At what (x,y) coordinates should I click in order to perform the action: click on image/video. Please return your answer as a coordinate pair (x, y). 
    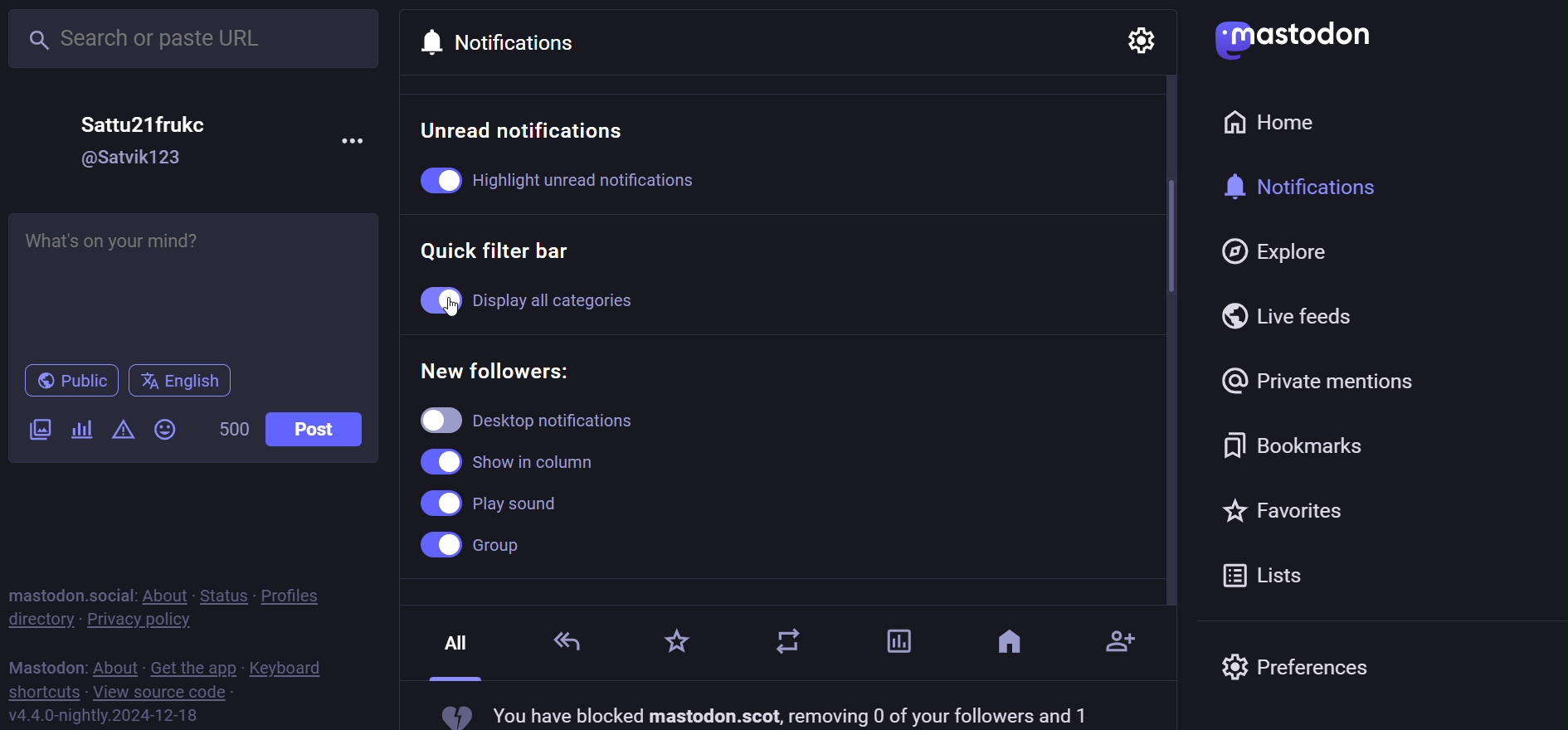
    Looking at the image, I should click on (38, 431).